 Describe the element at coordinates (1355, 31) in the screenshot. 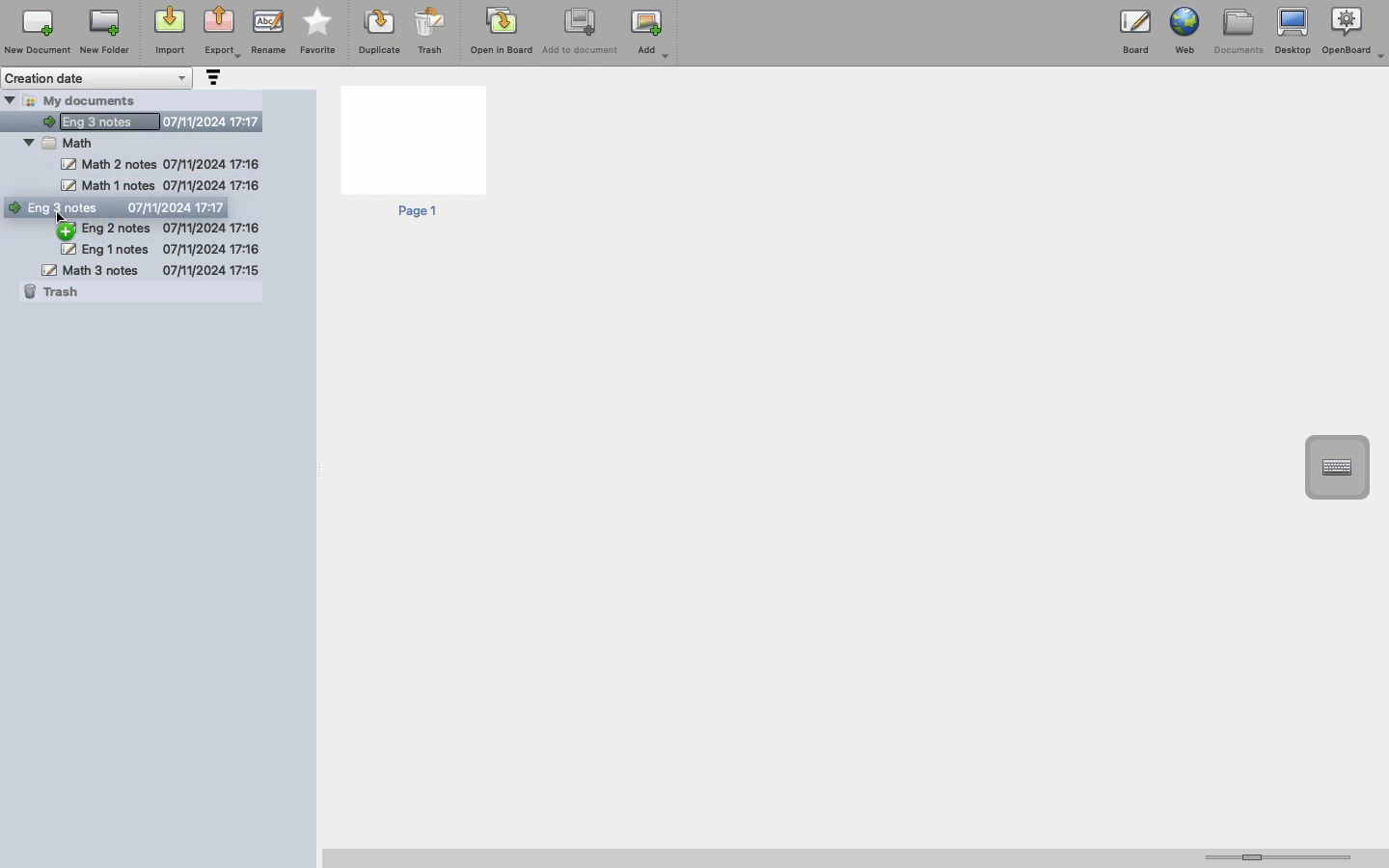

I see `OpenBoard` at that location.